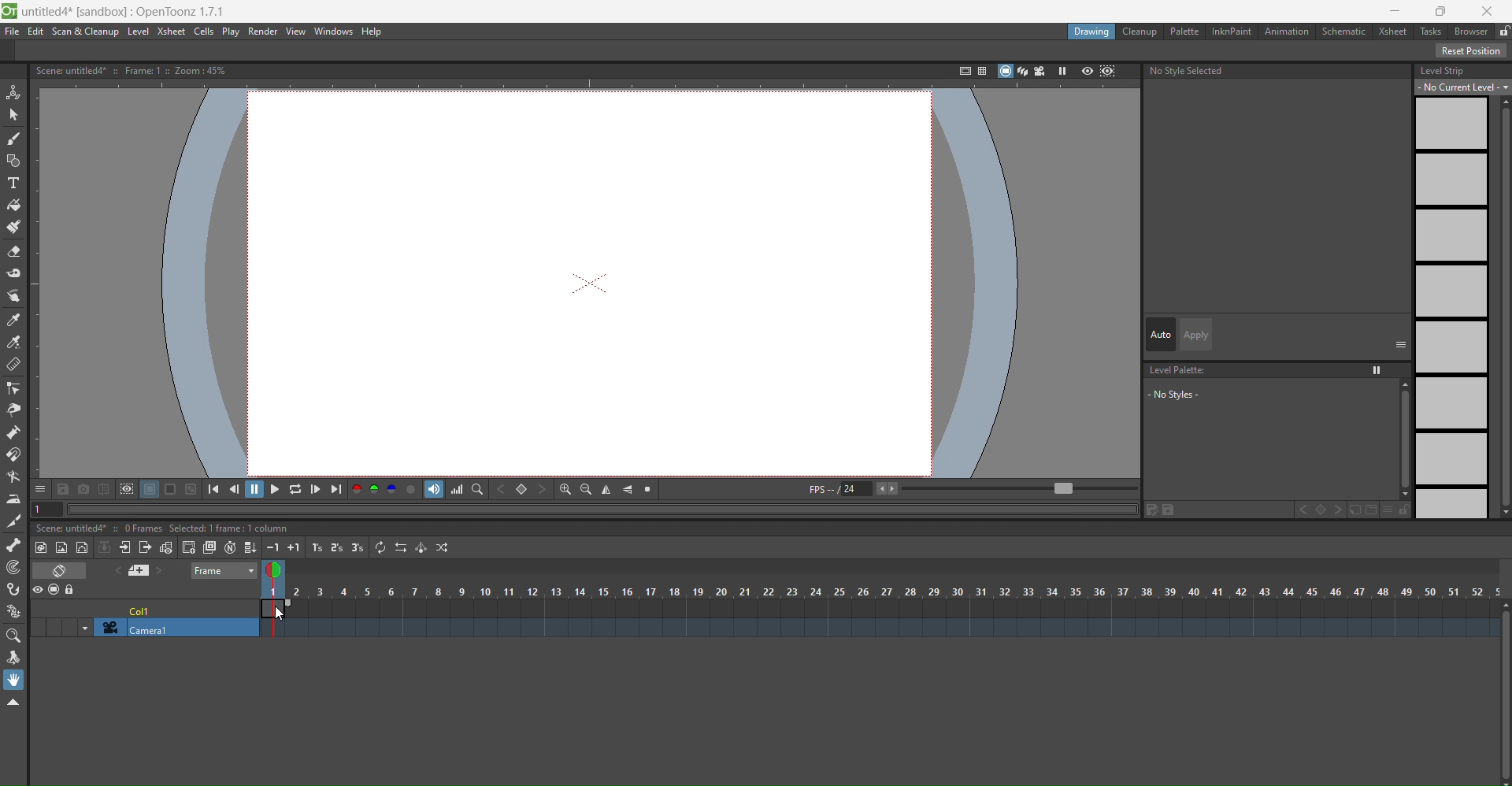 The height and width of the screenshot is (786, 1512). I want to click on tool, so click(191, 488).